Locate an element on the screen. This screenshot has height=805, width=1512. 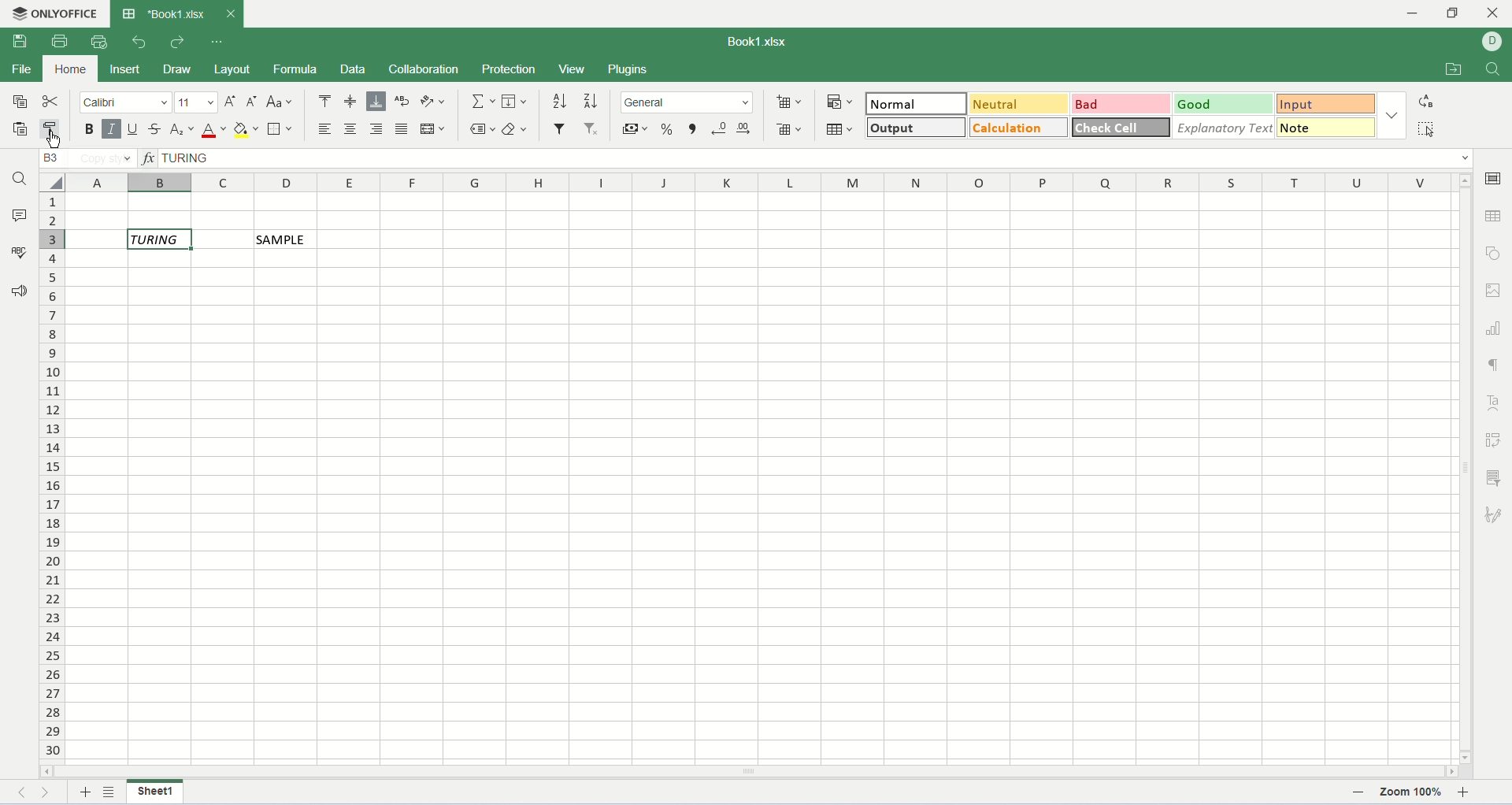
copy is located at coordinates (15, 101).